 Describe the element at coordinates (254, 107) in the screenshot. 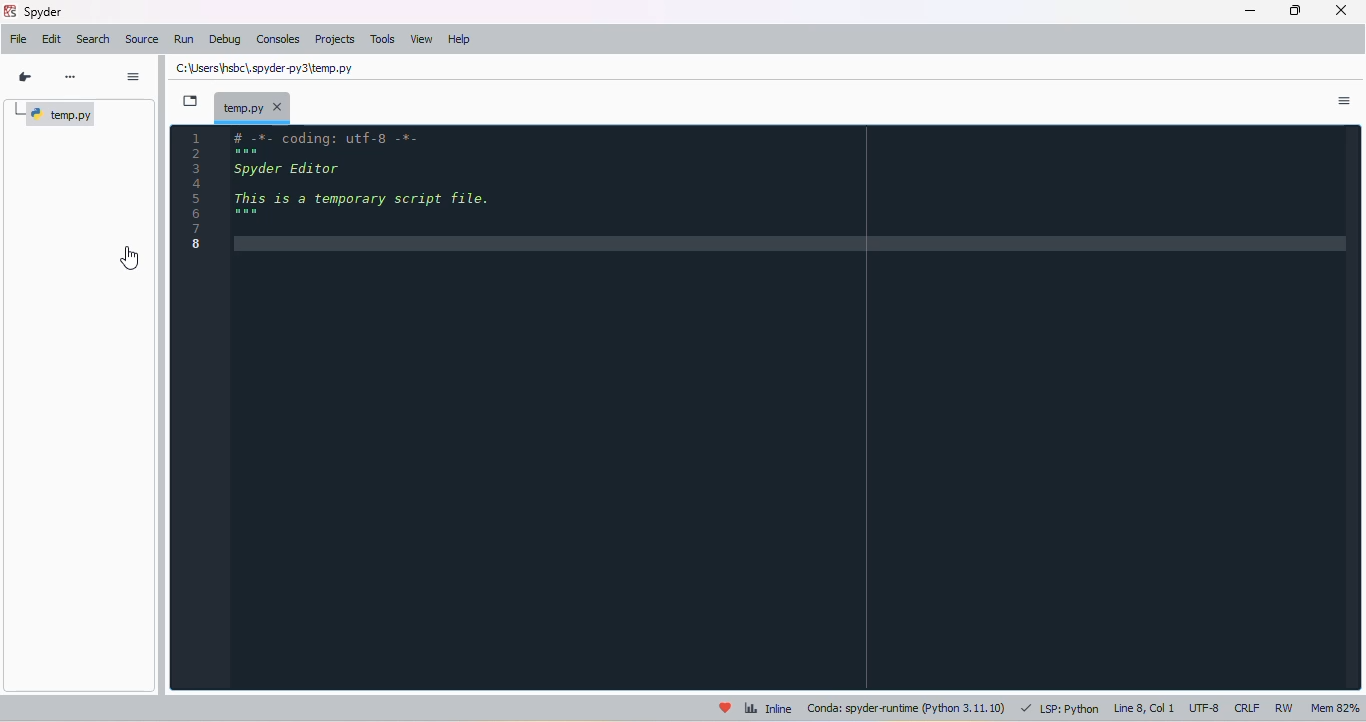

I see `temporary file` at that location.